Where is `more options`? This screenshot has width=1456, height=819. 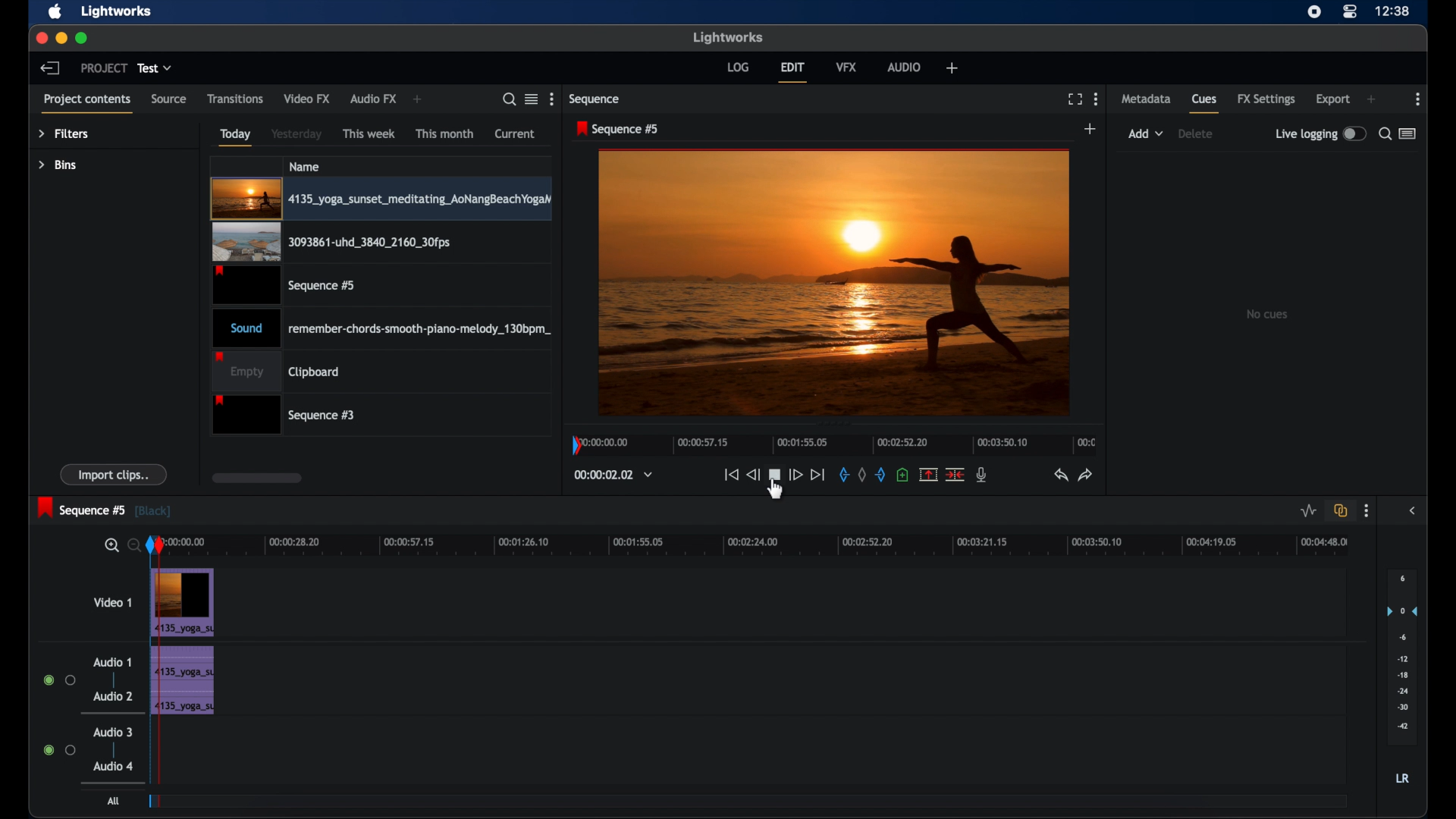 more options is located at coordinates (1367, 511).